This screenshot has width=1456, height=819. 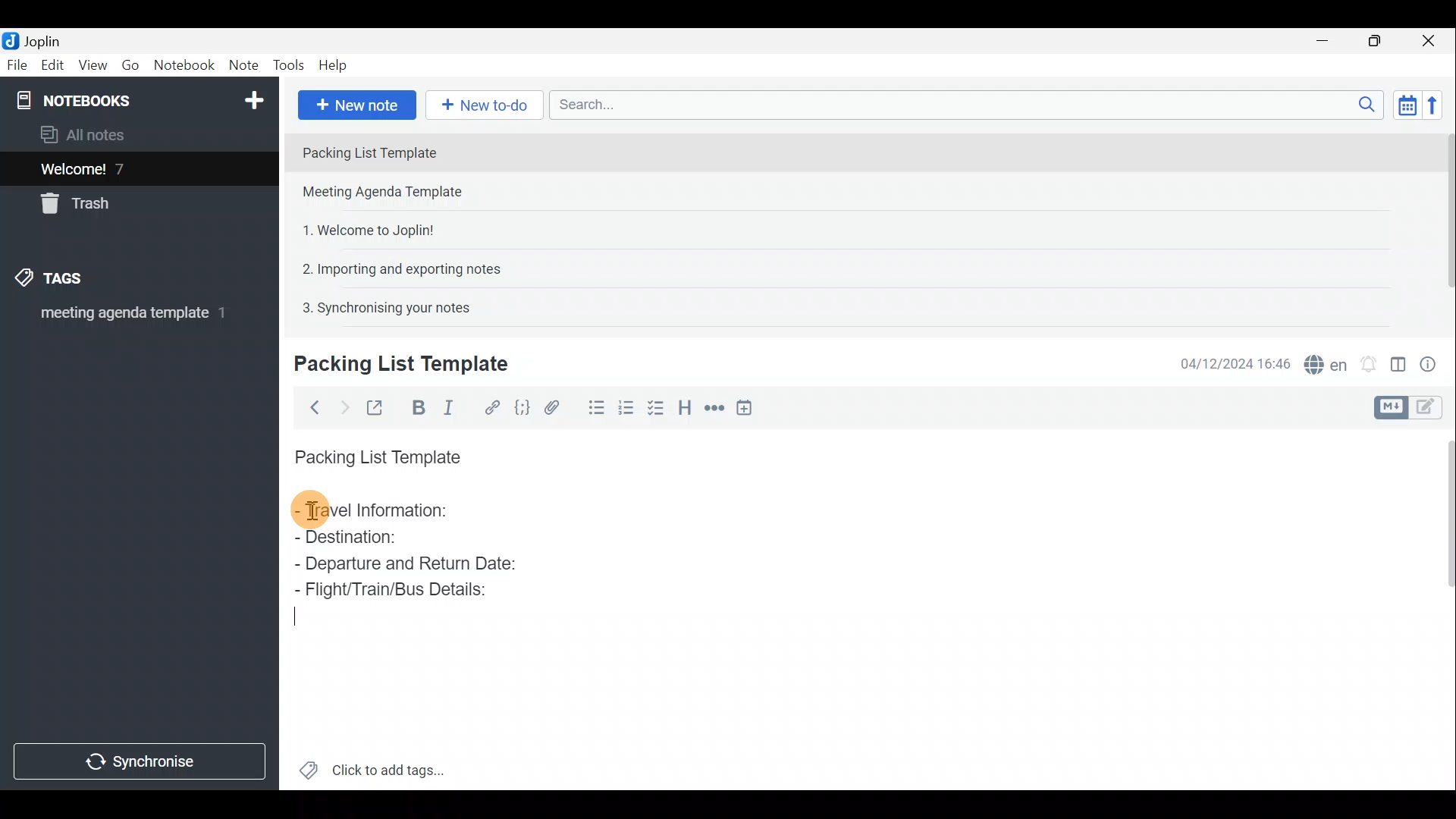 I want to click on Note 5, so click(x=380, y=306).